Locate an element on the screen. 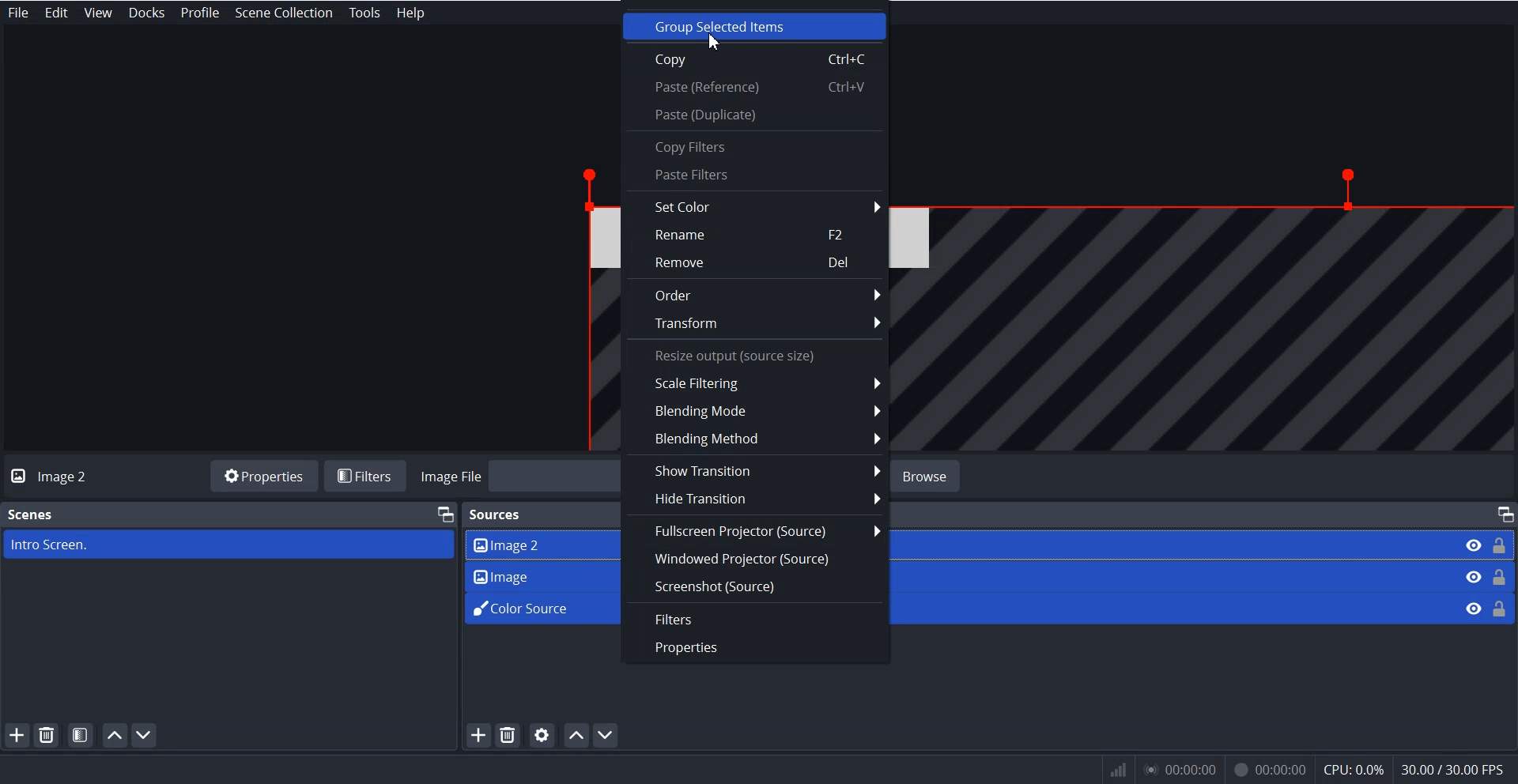 The image size is (1518, 784). Ctrl+C is located at coordinates (840, 59).